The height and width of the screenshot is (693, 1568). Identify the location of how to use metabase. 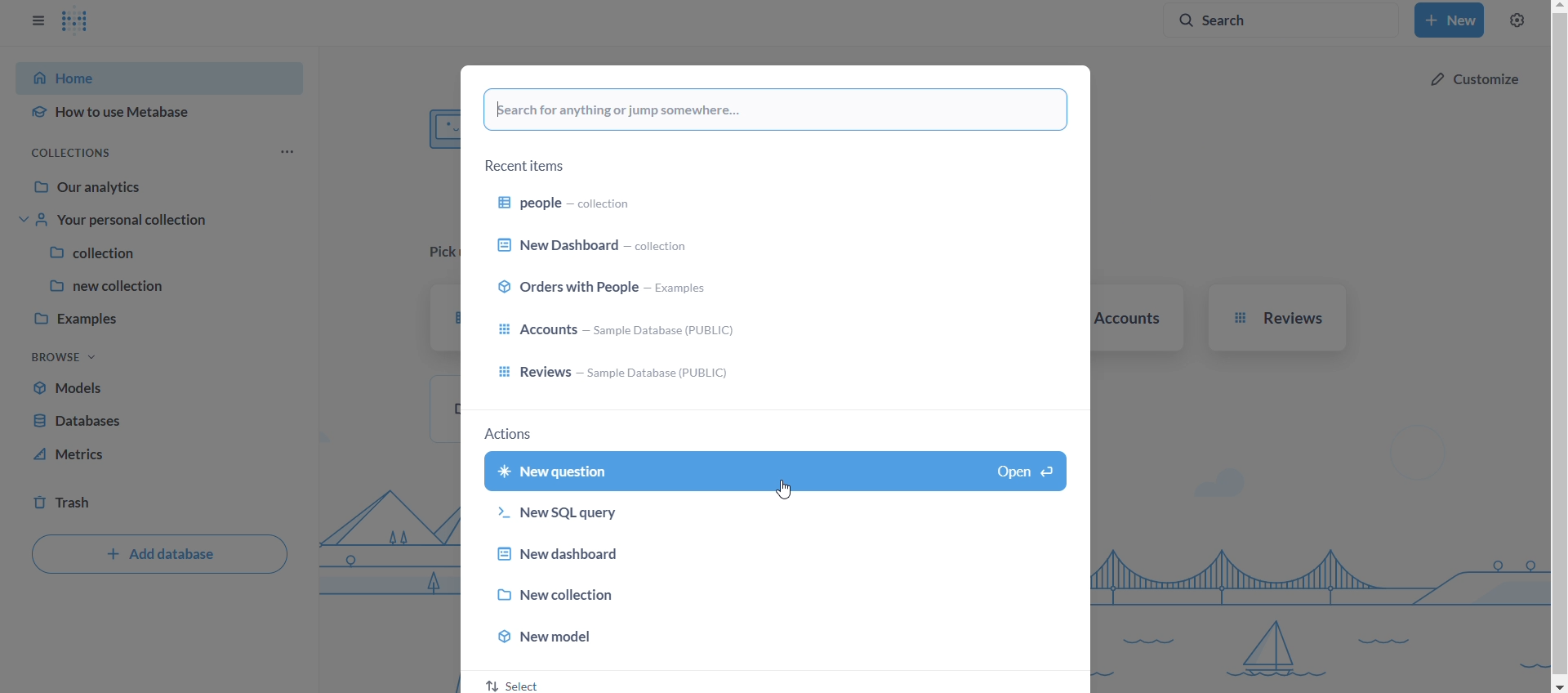
(163, 114).